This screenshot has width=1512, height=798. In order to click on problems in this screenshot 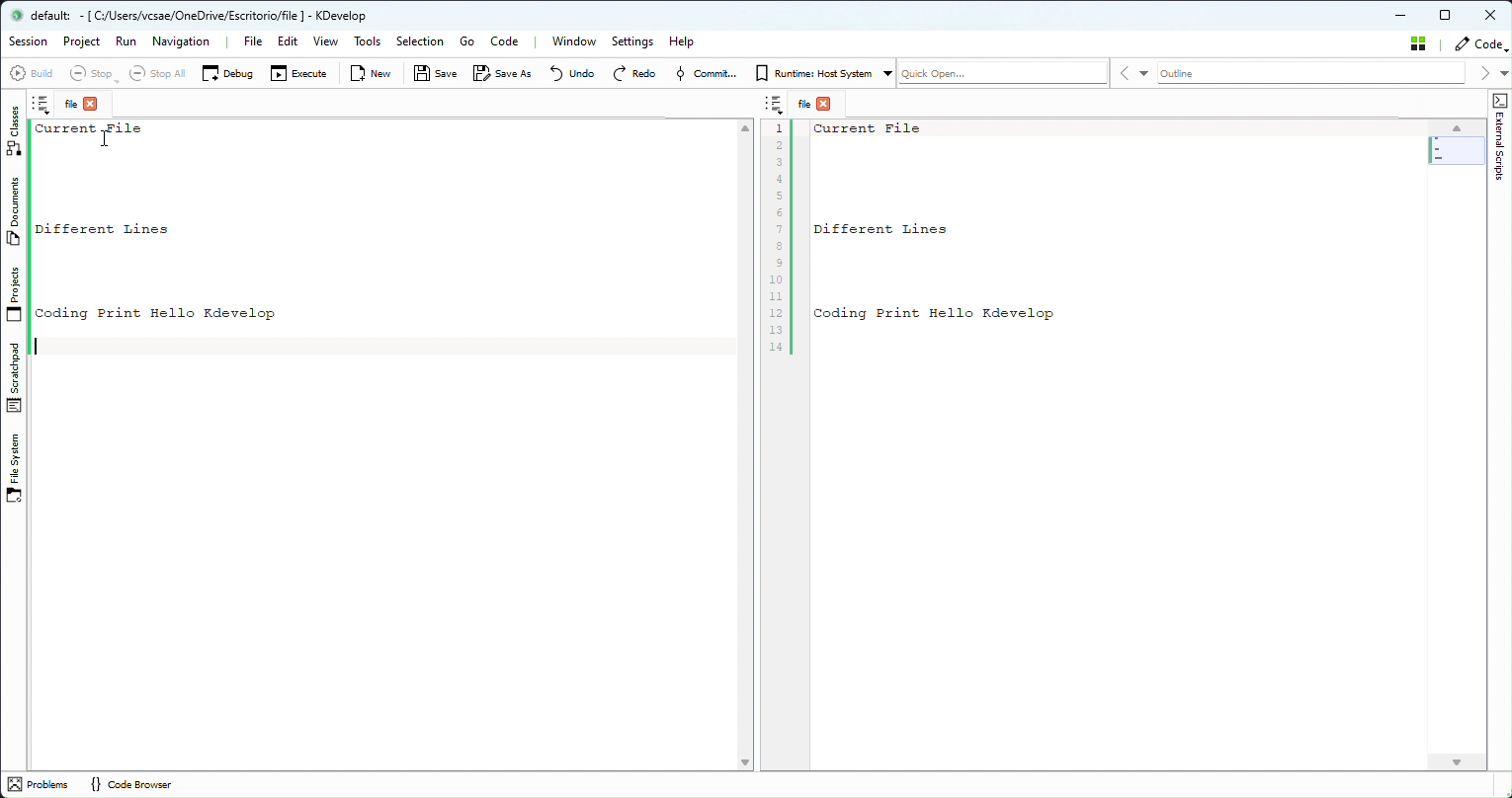, I will do `click(41, 784)`.